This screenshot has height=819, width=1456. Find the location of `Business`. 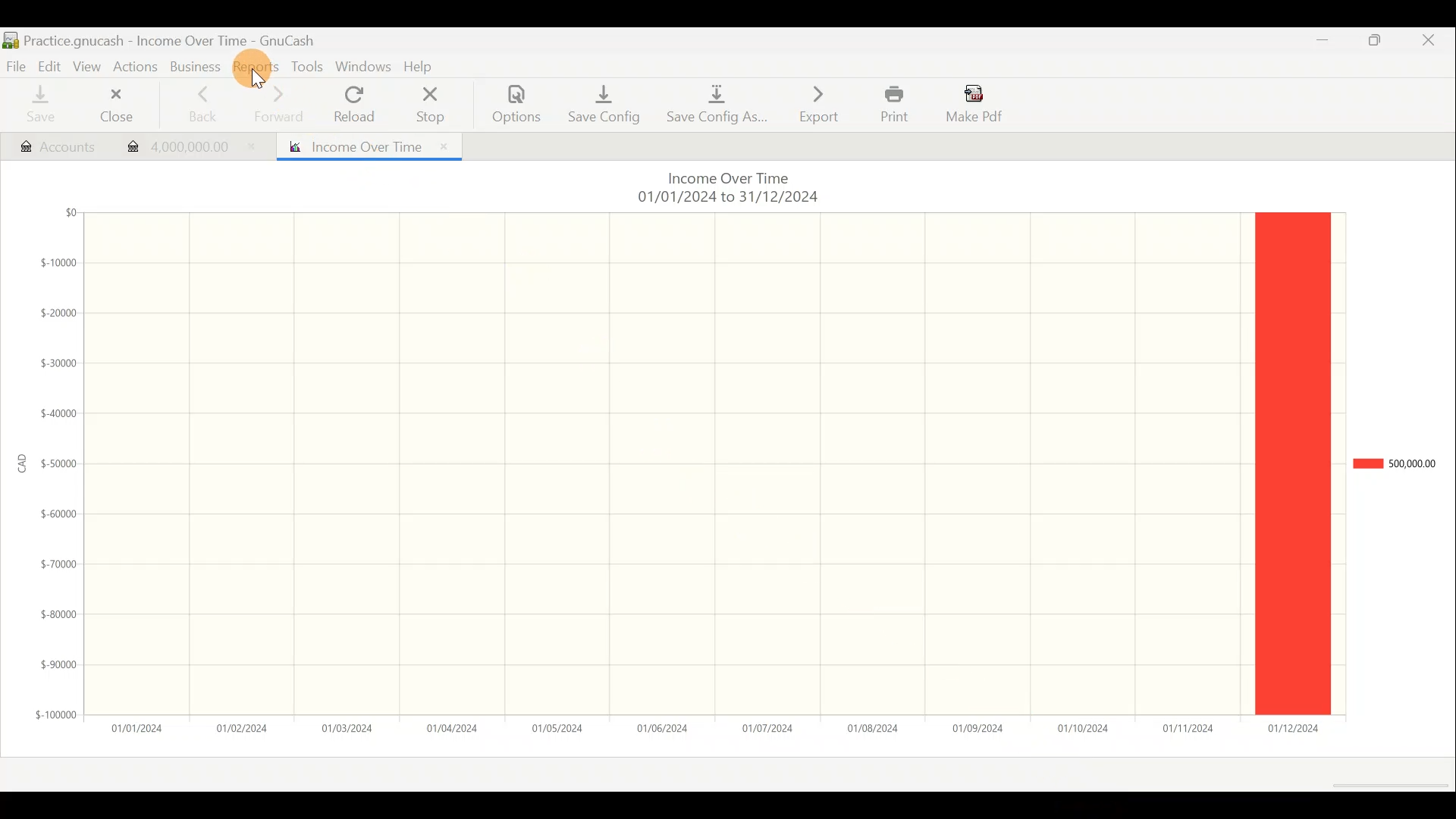

Business is located at coordinates (197, 68).